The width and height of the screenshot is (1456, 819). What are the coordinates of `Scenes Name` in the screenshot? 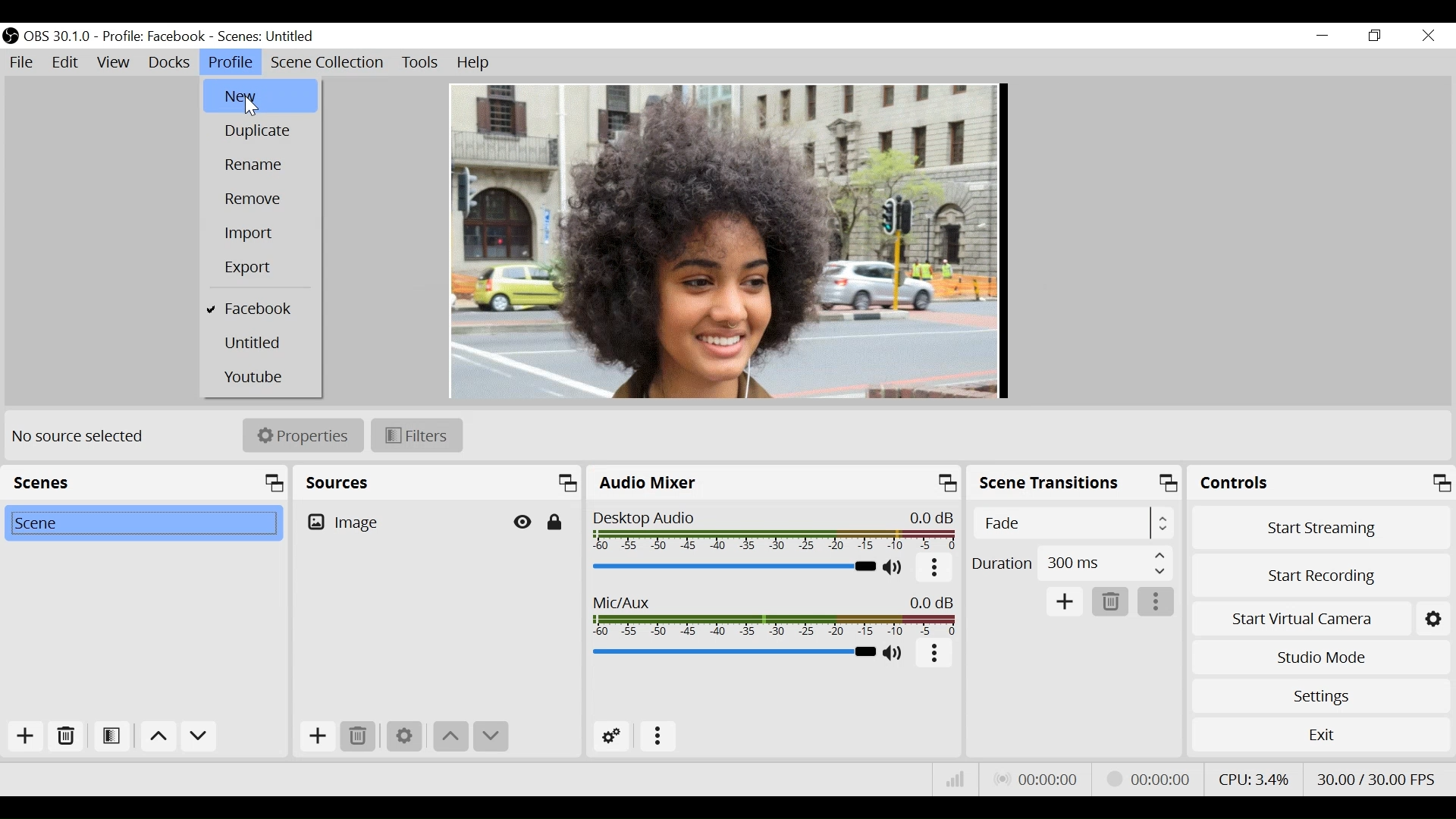 It's located at (276, 36).